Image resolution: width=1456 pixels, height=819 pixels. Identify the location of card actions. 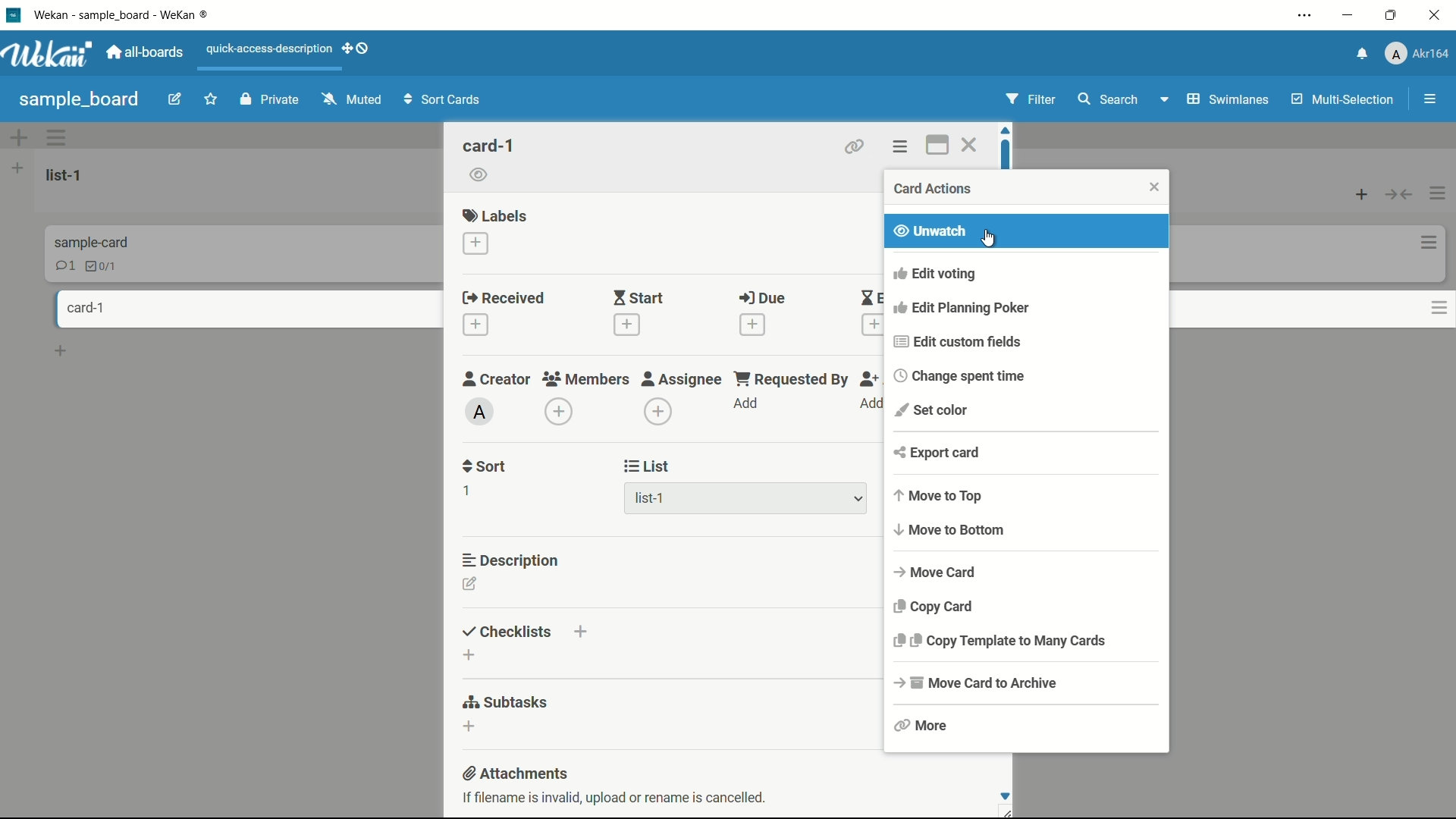
(1423, 306).